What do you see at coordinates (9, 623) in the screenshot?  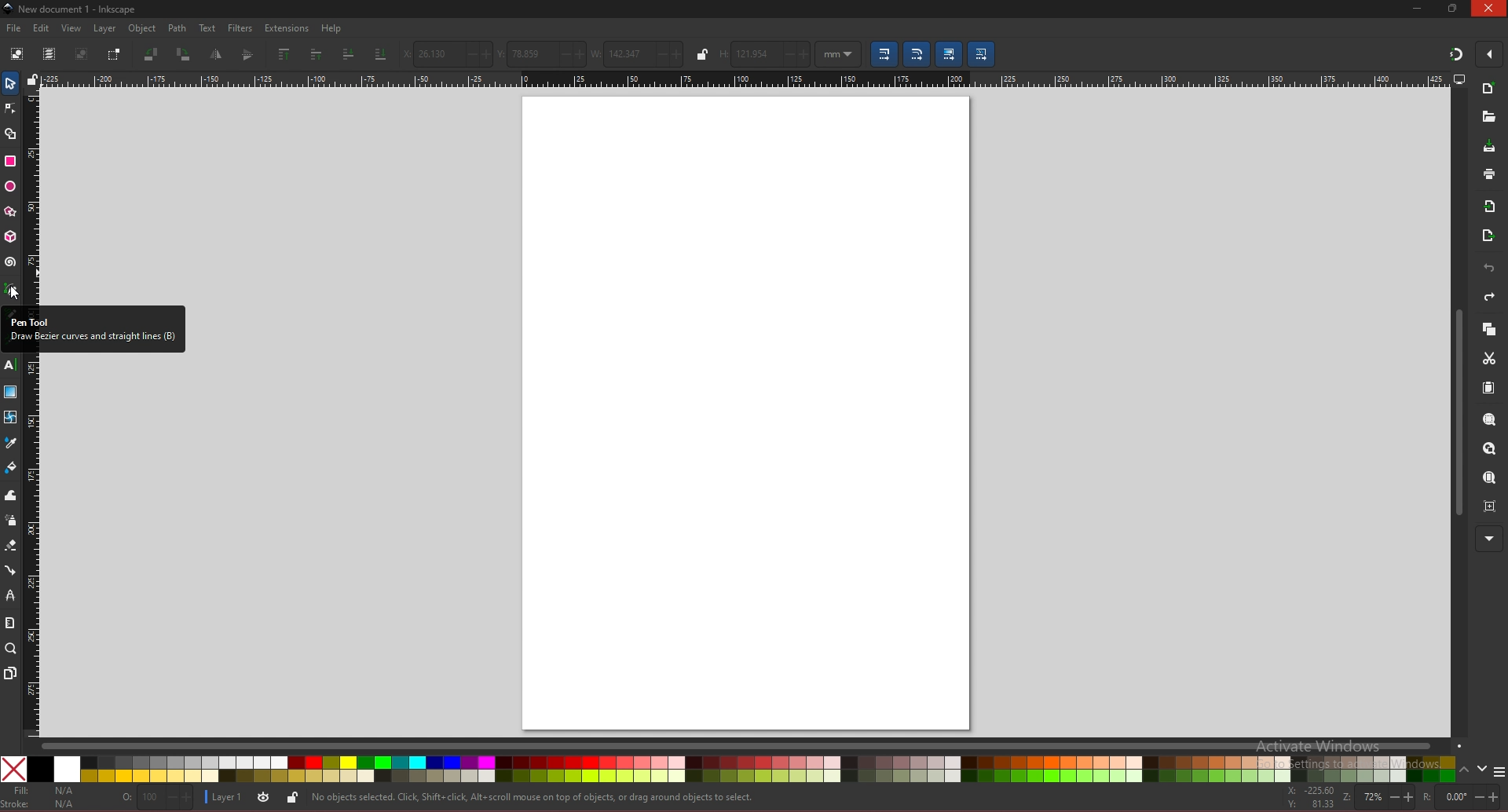 I see `measure` at bounding box center [9, 623].